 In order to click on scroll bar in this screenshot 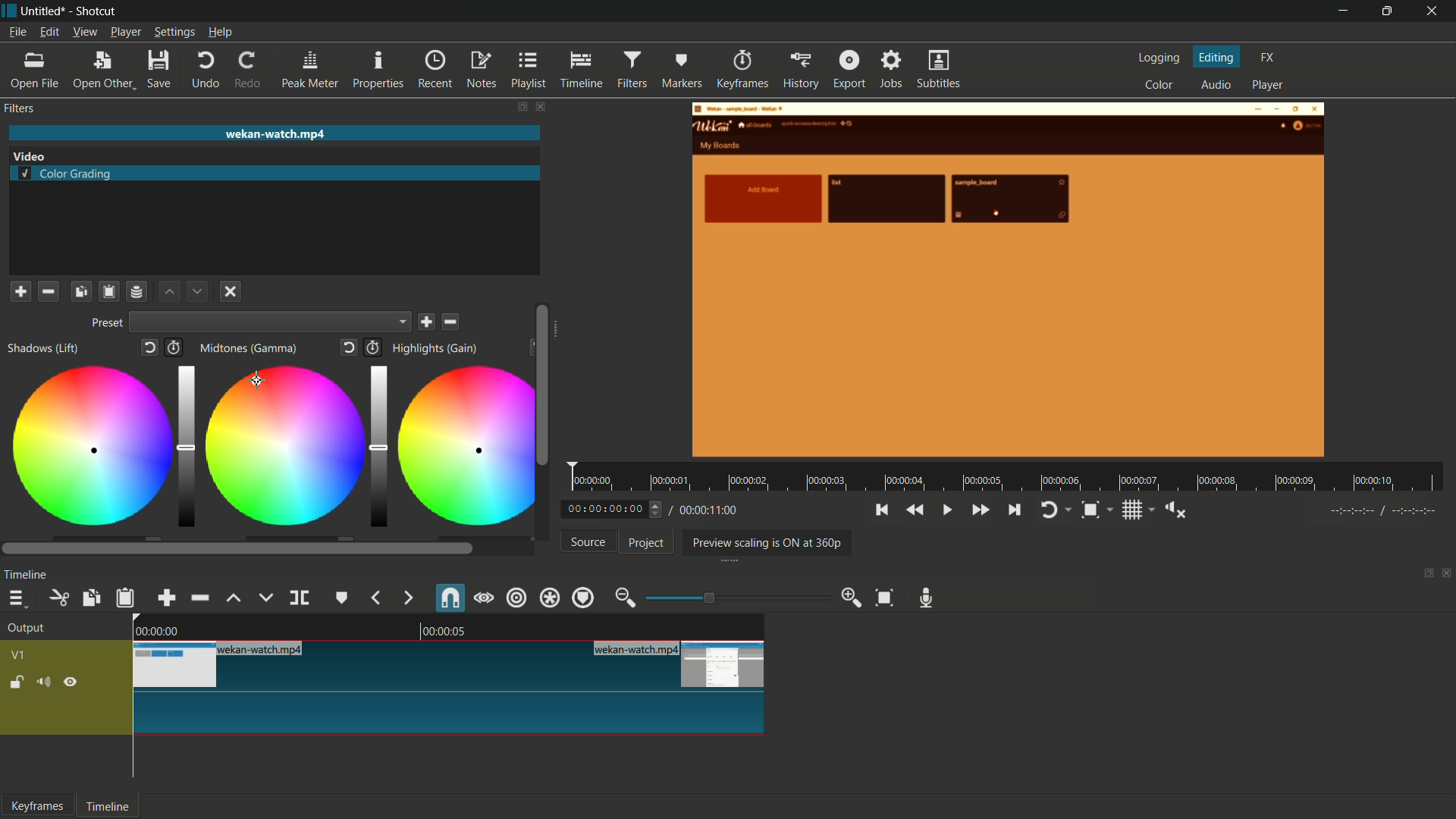, I will do `click(541, 384)`.